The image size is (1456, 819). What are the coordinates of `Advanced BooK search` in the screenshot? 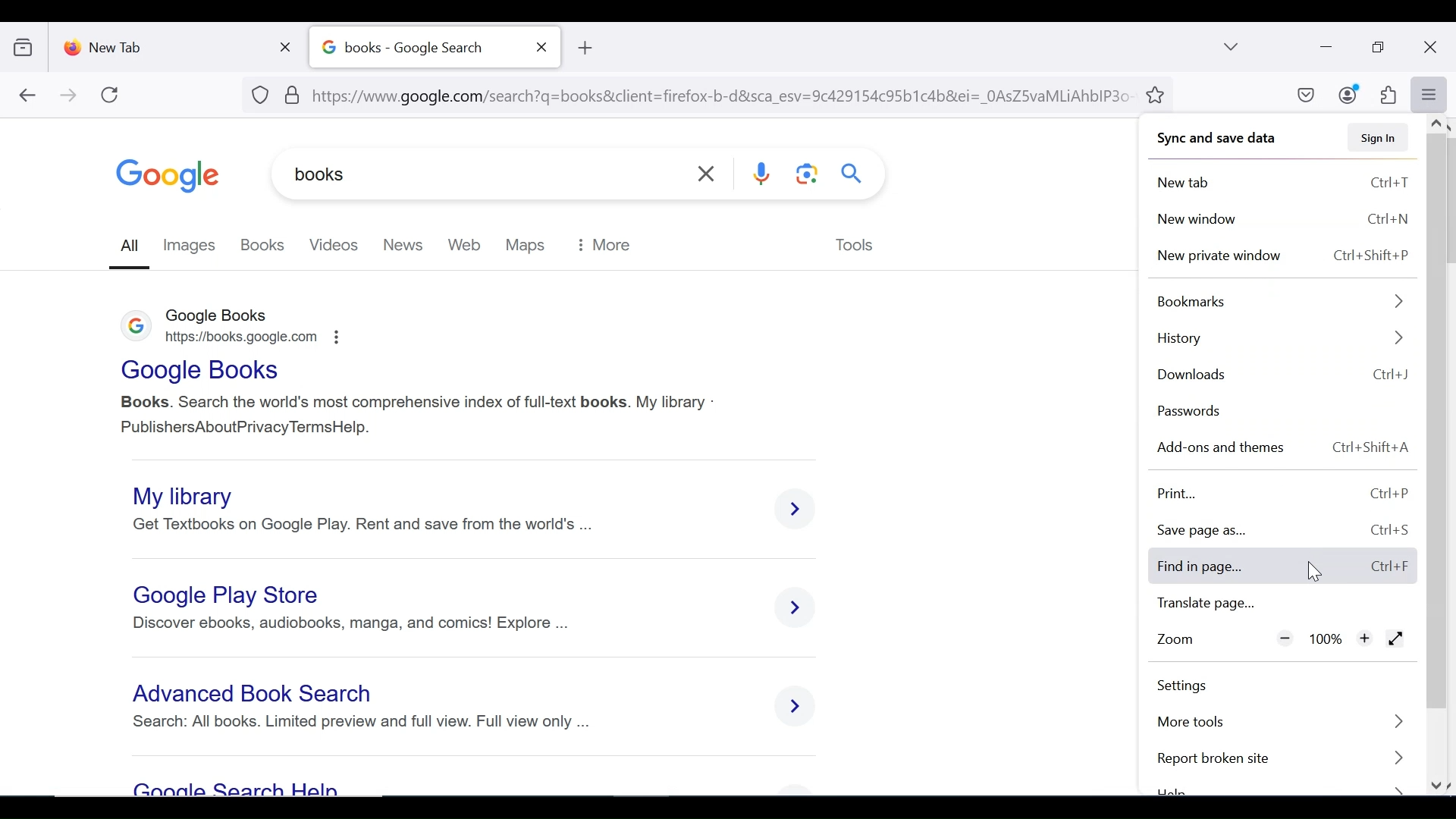 It's located at (256, 695).